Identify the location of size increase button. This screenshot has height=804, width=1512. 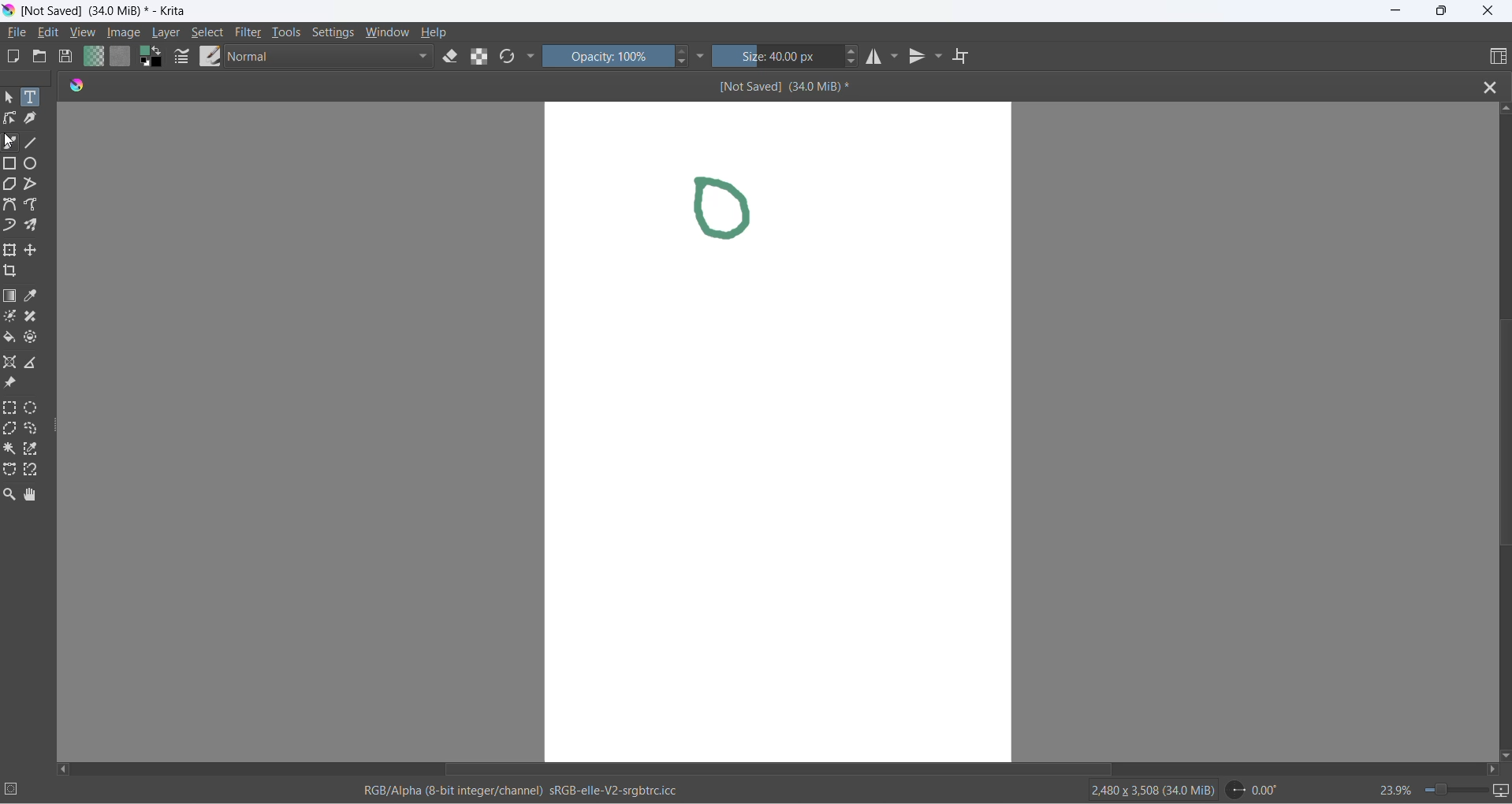
(855, 52).